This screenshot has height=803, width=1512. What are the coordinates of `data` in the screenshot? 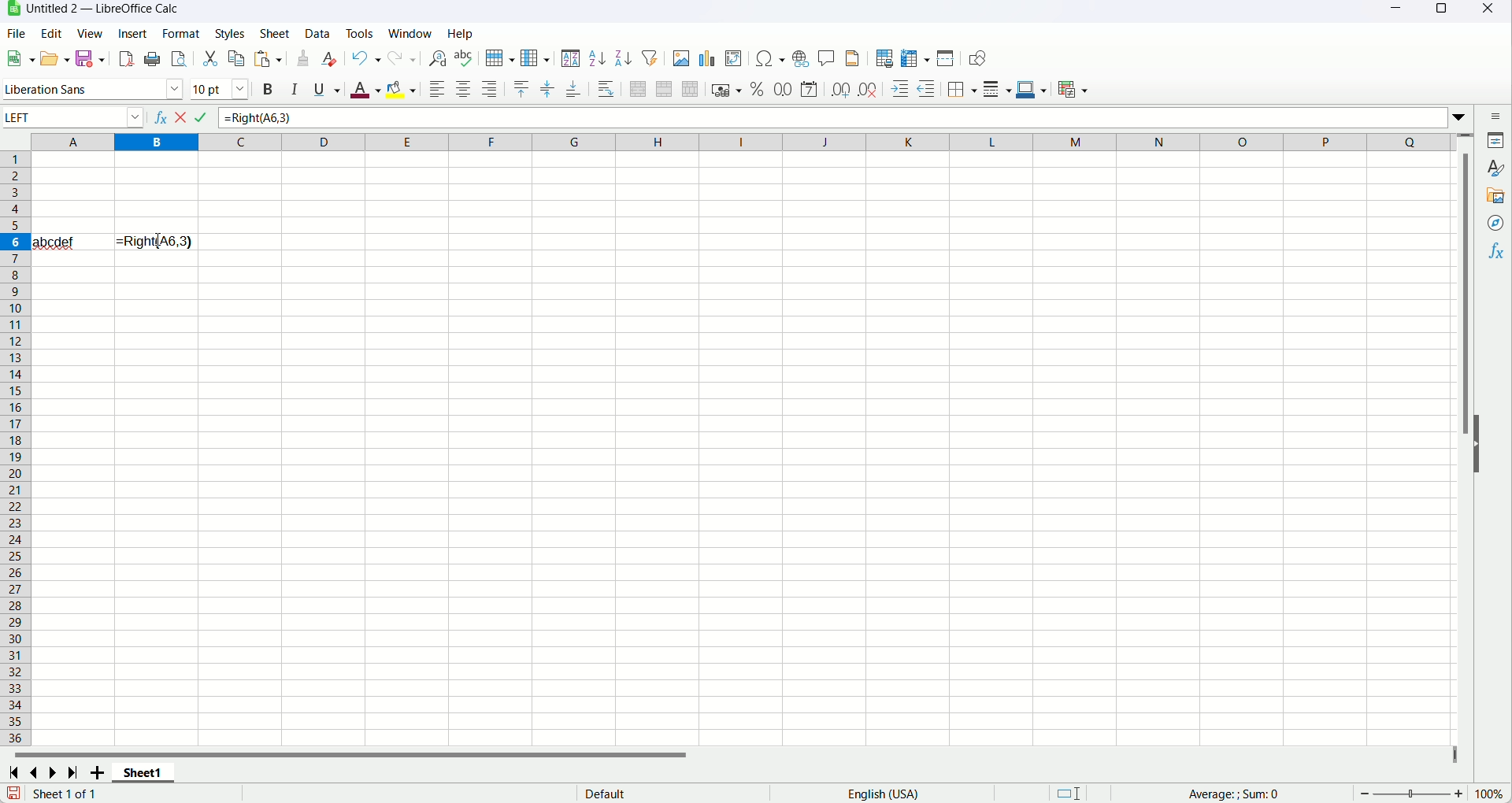 It's located at (317, 31).